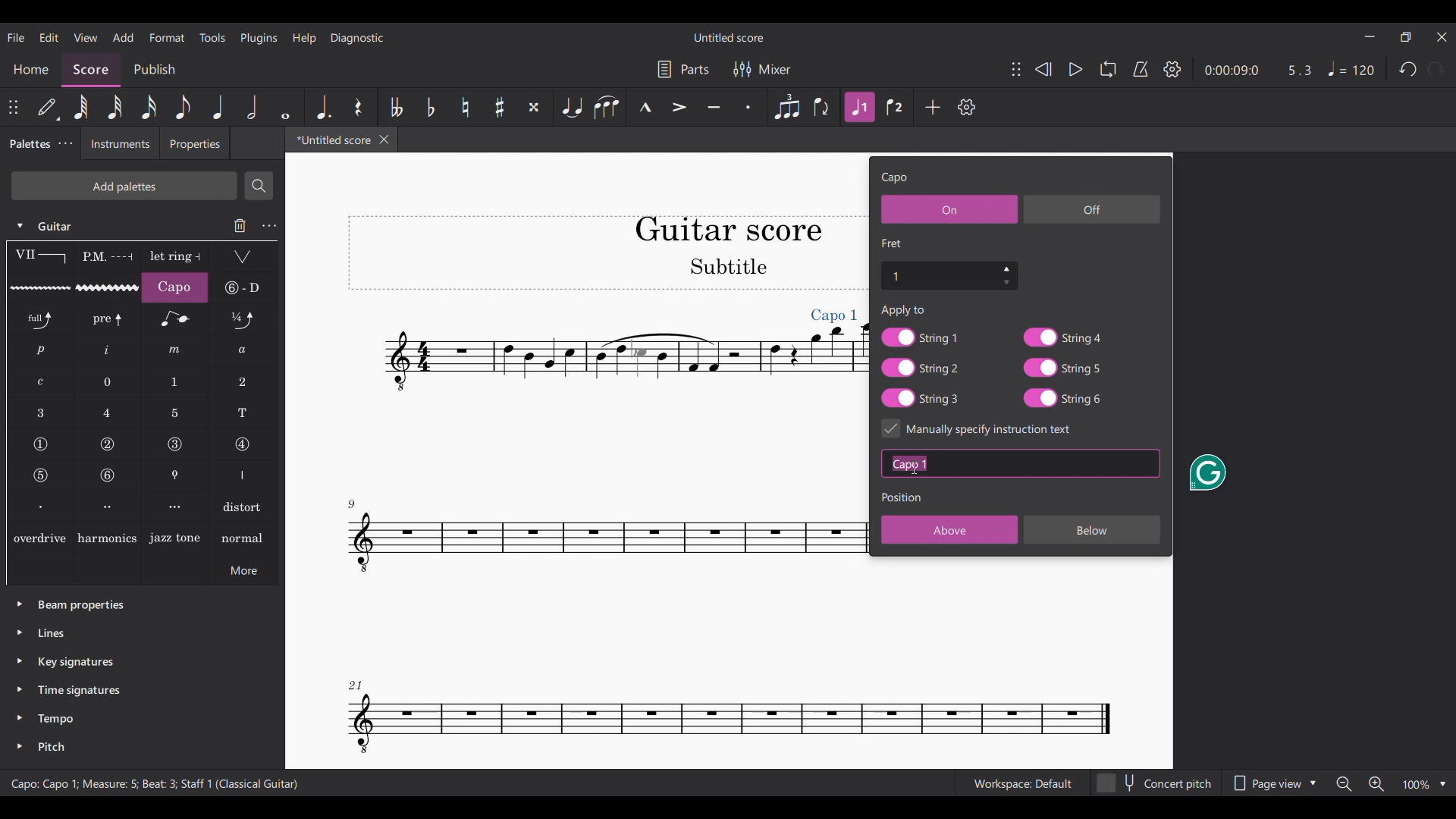  I want to click on Click to expand key signatures palette, so click(20, 661).